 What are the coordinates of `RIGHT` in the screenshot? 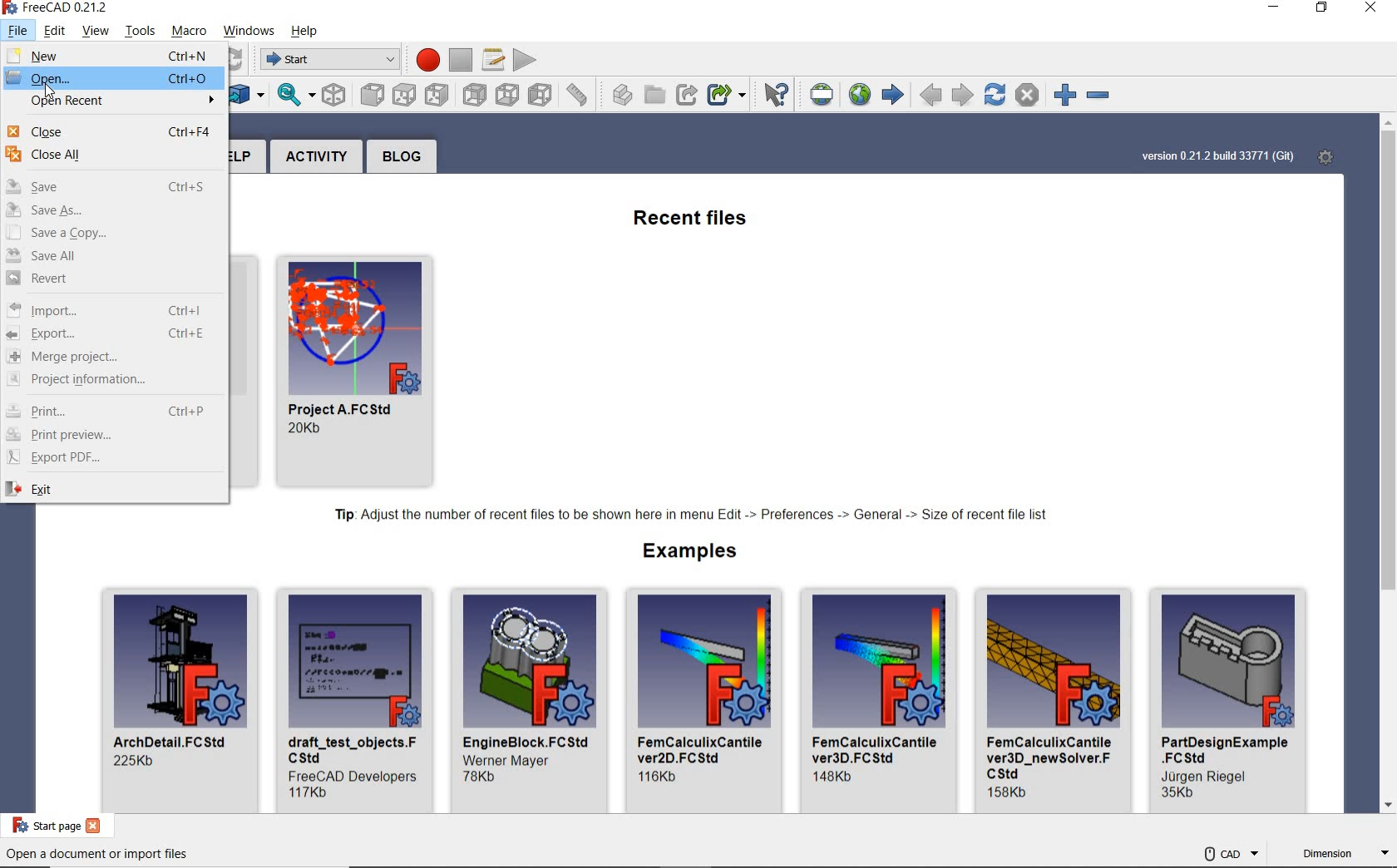 It's located at (438, 96).